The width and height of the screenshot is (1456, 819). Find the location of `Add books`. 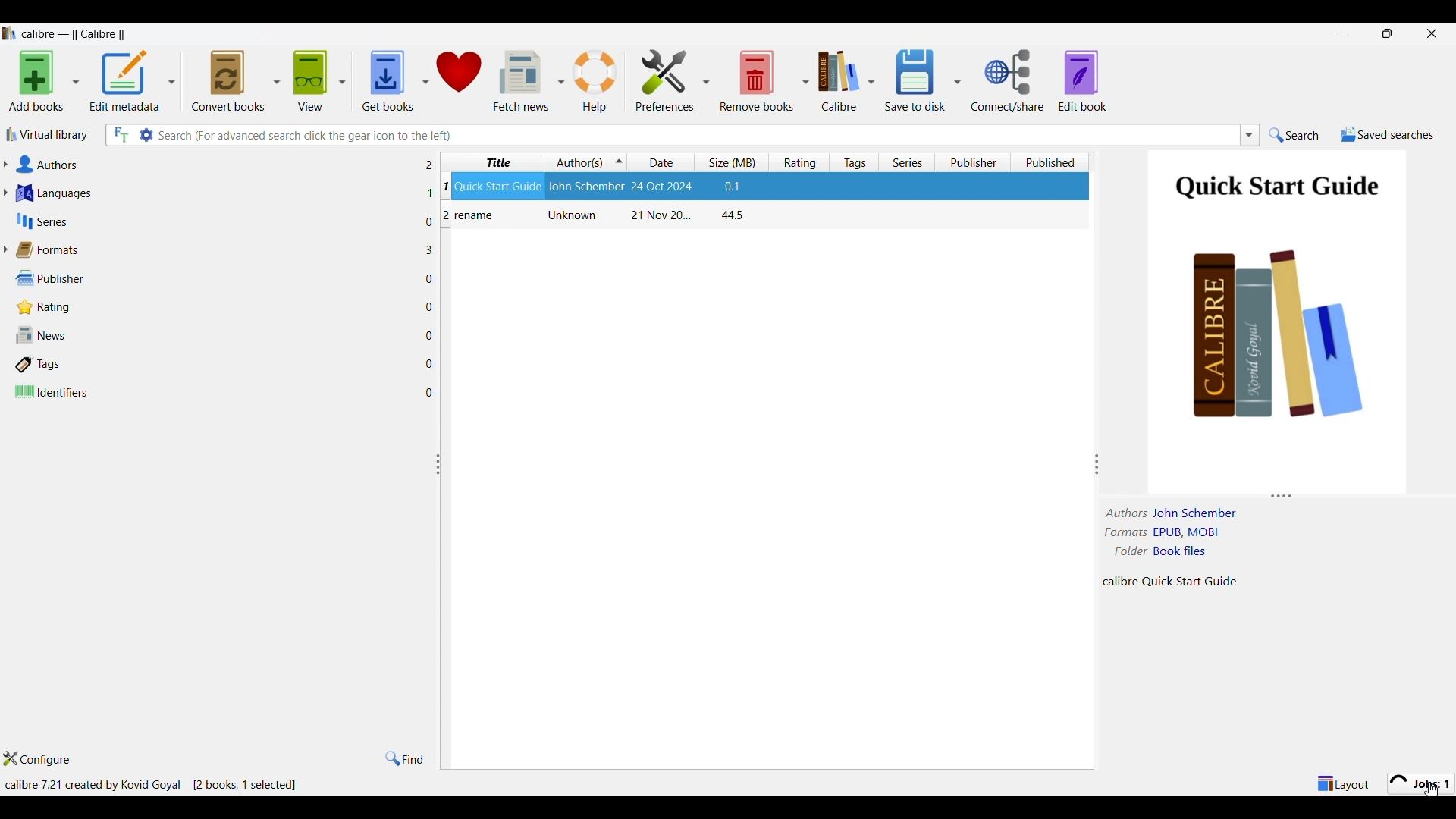

Add books is located at coordinates (36, 81).